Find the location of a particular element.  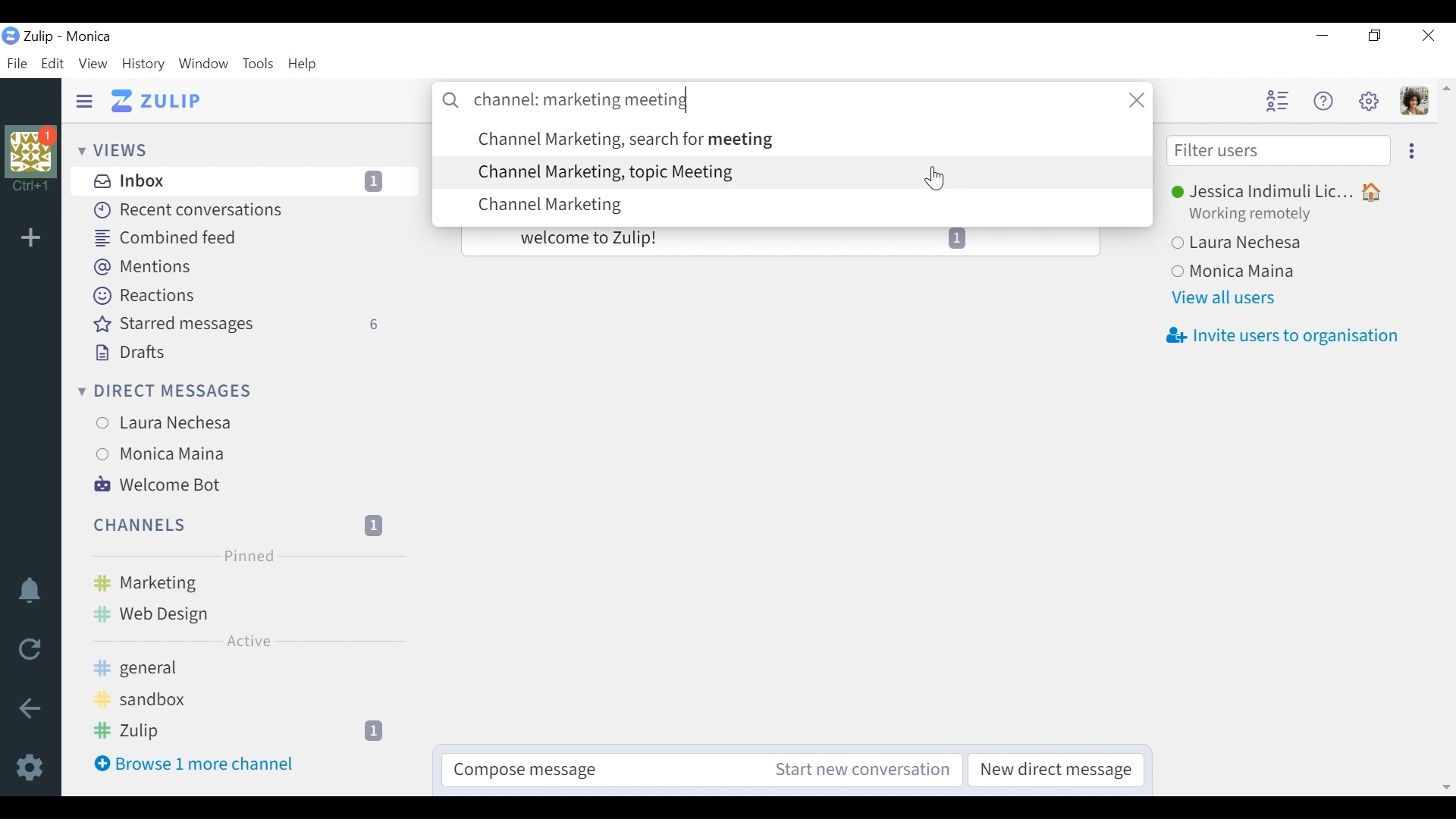

Channels is located at coordinates (240, 526).